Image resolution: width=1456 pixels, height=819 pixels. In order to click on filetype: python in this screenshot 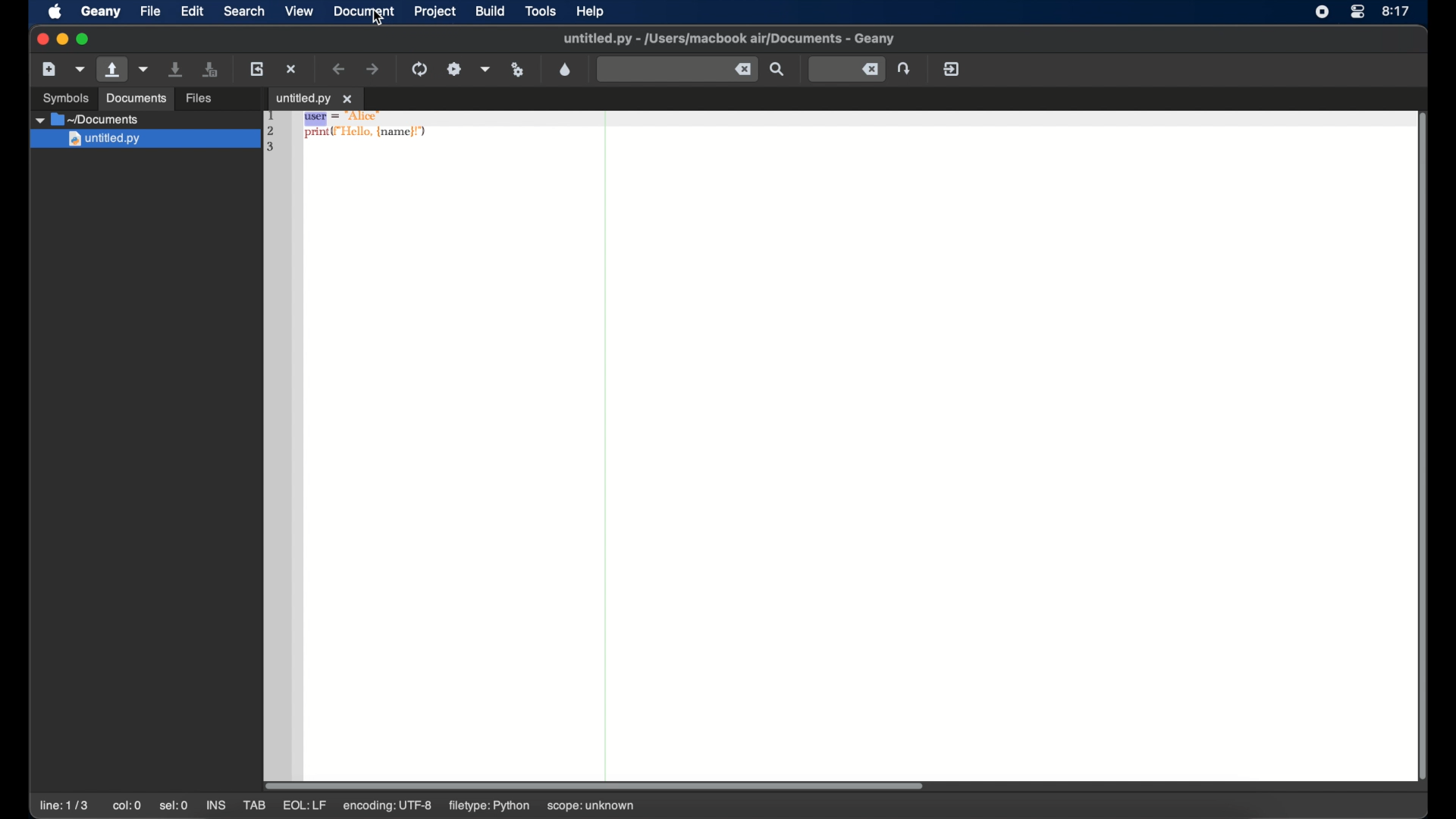, I will do `click(491, 806)`.